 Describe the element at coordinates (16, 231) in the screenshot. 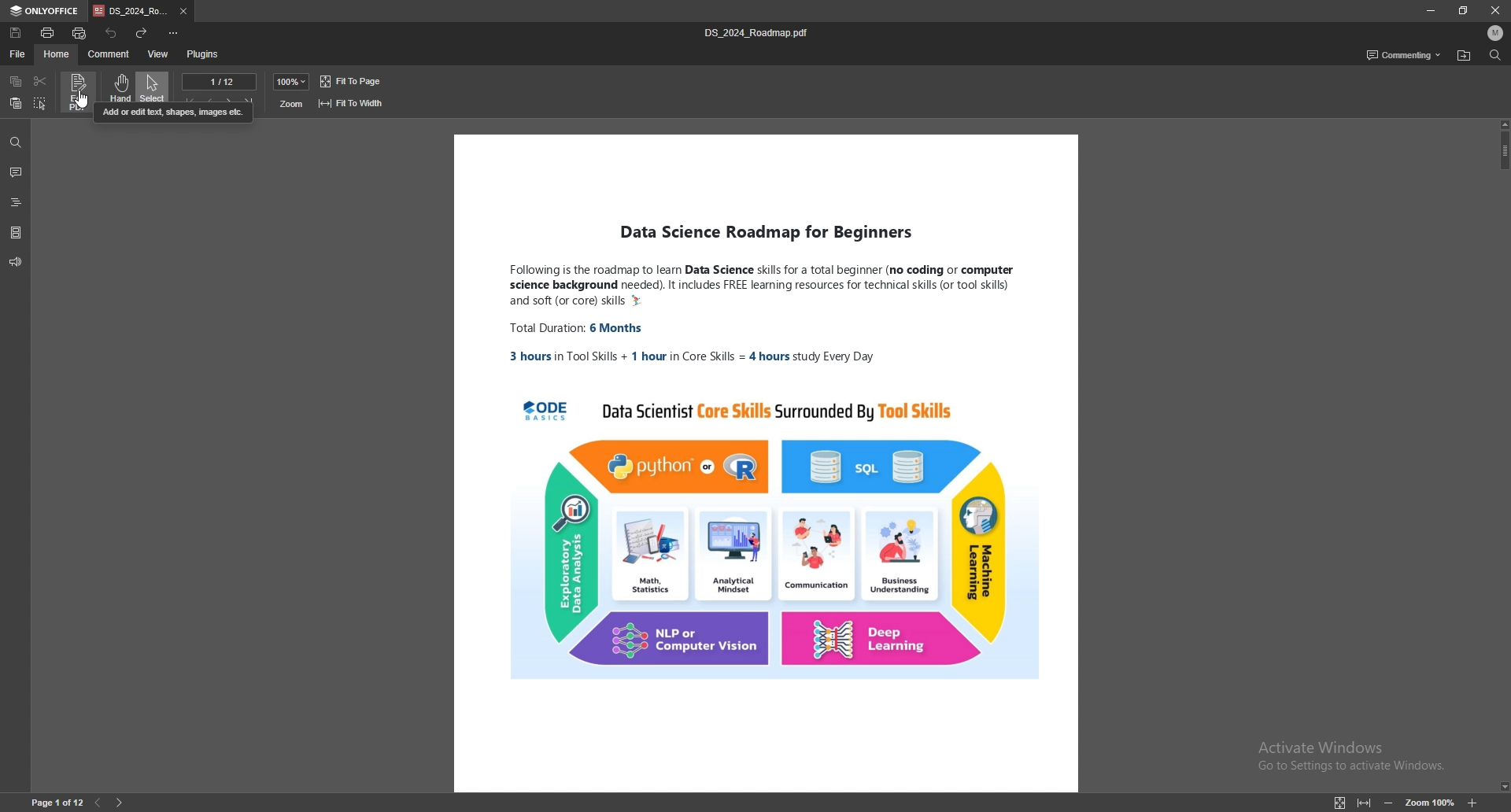

I see `pages` at that location.